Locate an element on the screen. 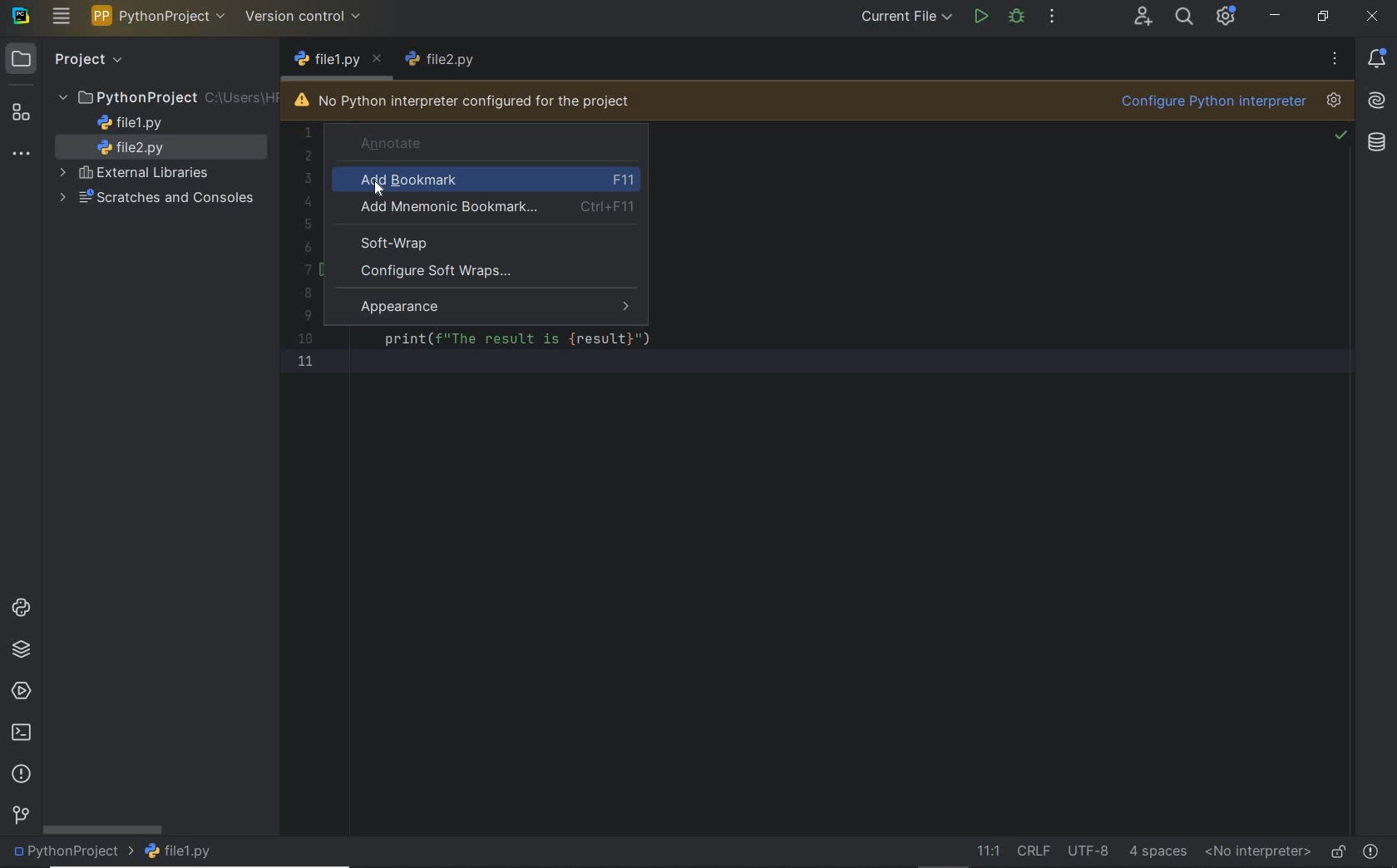  indent is located at coordinates (1157, 851).